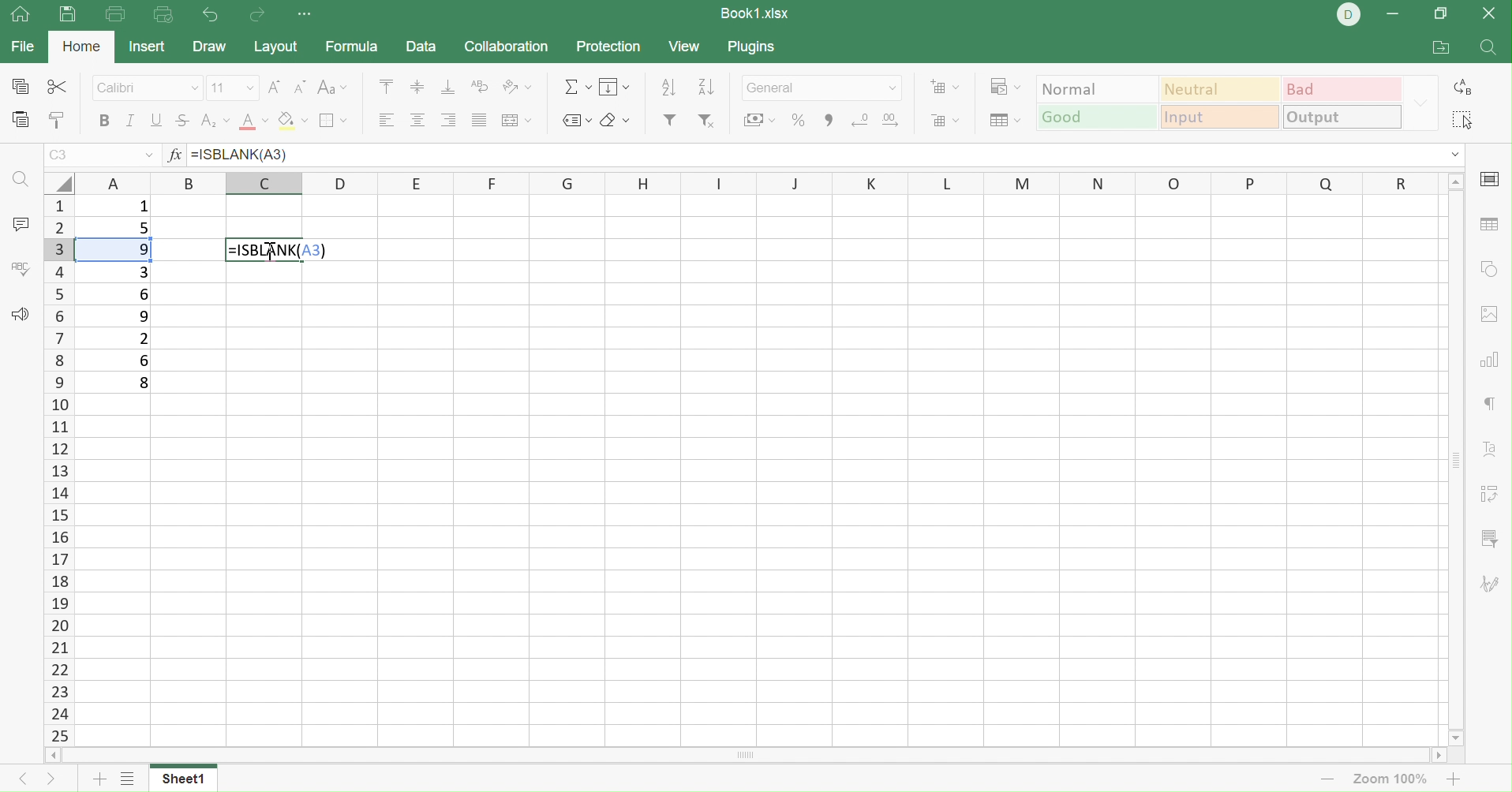 The image size is (1512, 792). I want to click on Underline, so click(156, 121).